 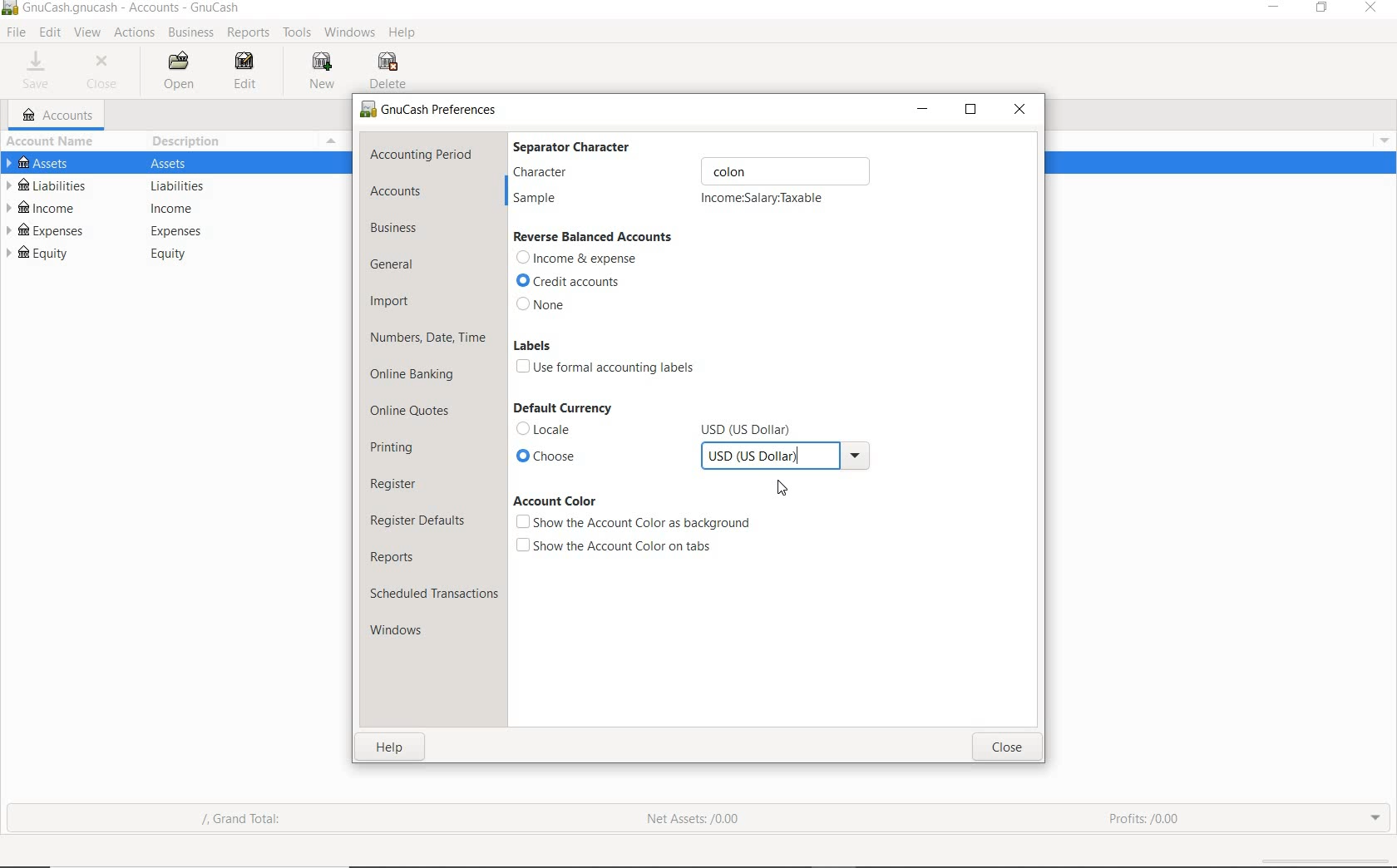 I want to click on credit accounts, so click(x=573, y=282).